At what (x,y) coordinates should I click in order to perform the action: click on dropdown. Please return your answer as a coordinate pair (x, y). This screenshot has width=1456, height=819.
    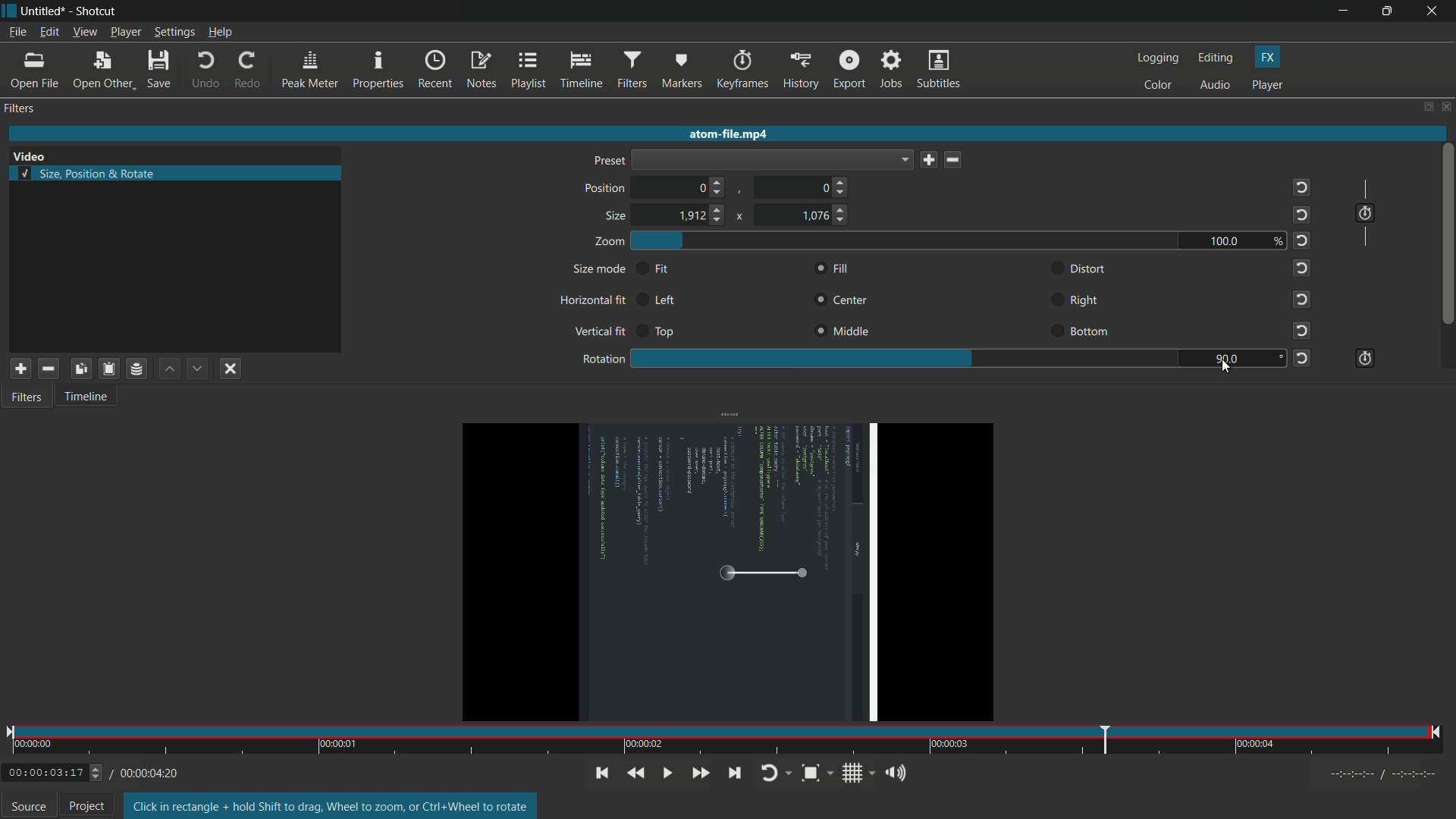
    Looking at the image, I should click on (773, 159).